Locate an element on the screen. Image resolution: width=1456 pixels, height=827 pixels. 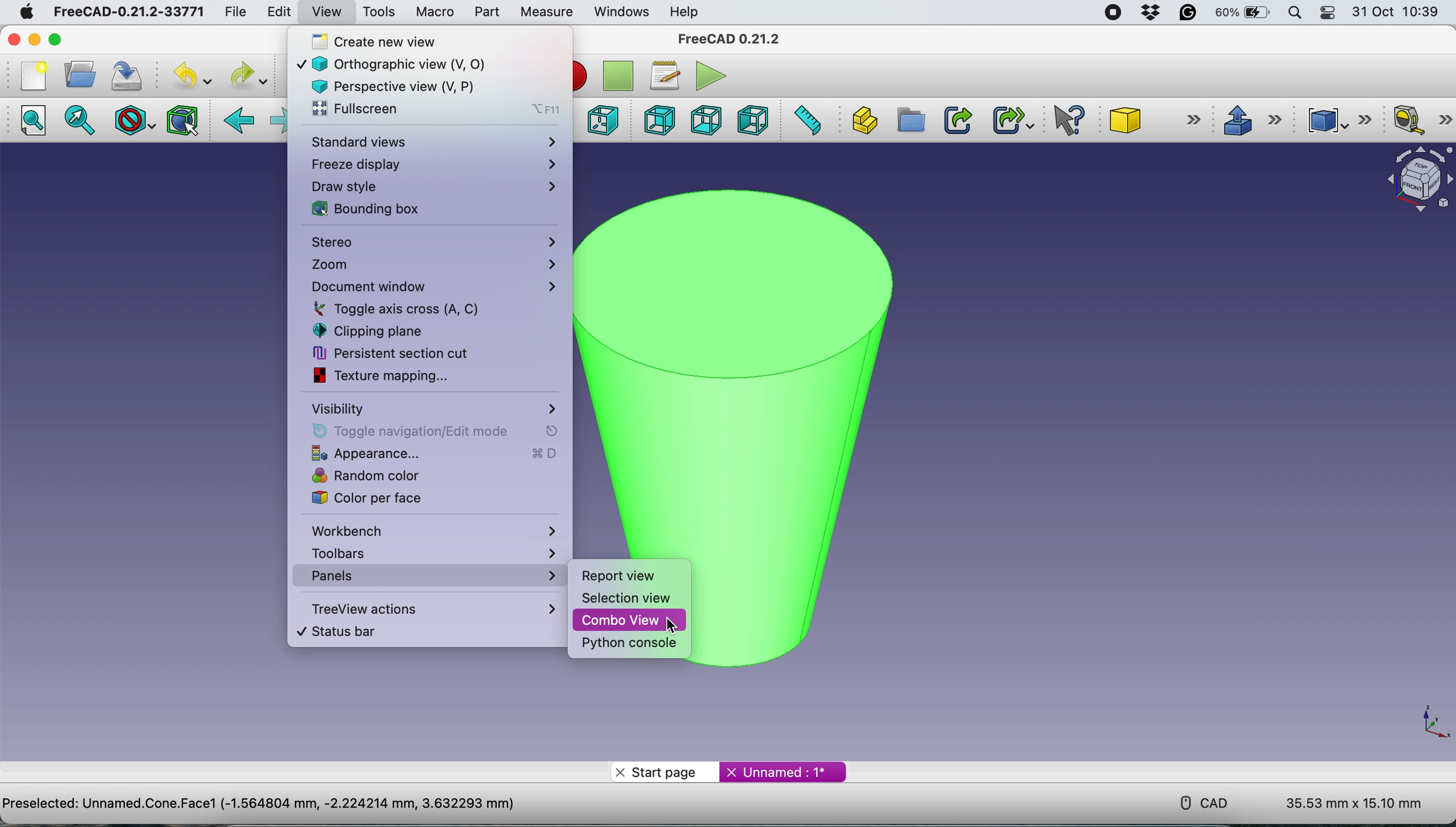
left is located at coordinates (755, 120).